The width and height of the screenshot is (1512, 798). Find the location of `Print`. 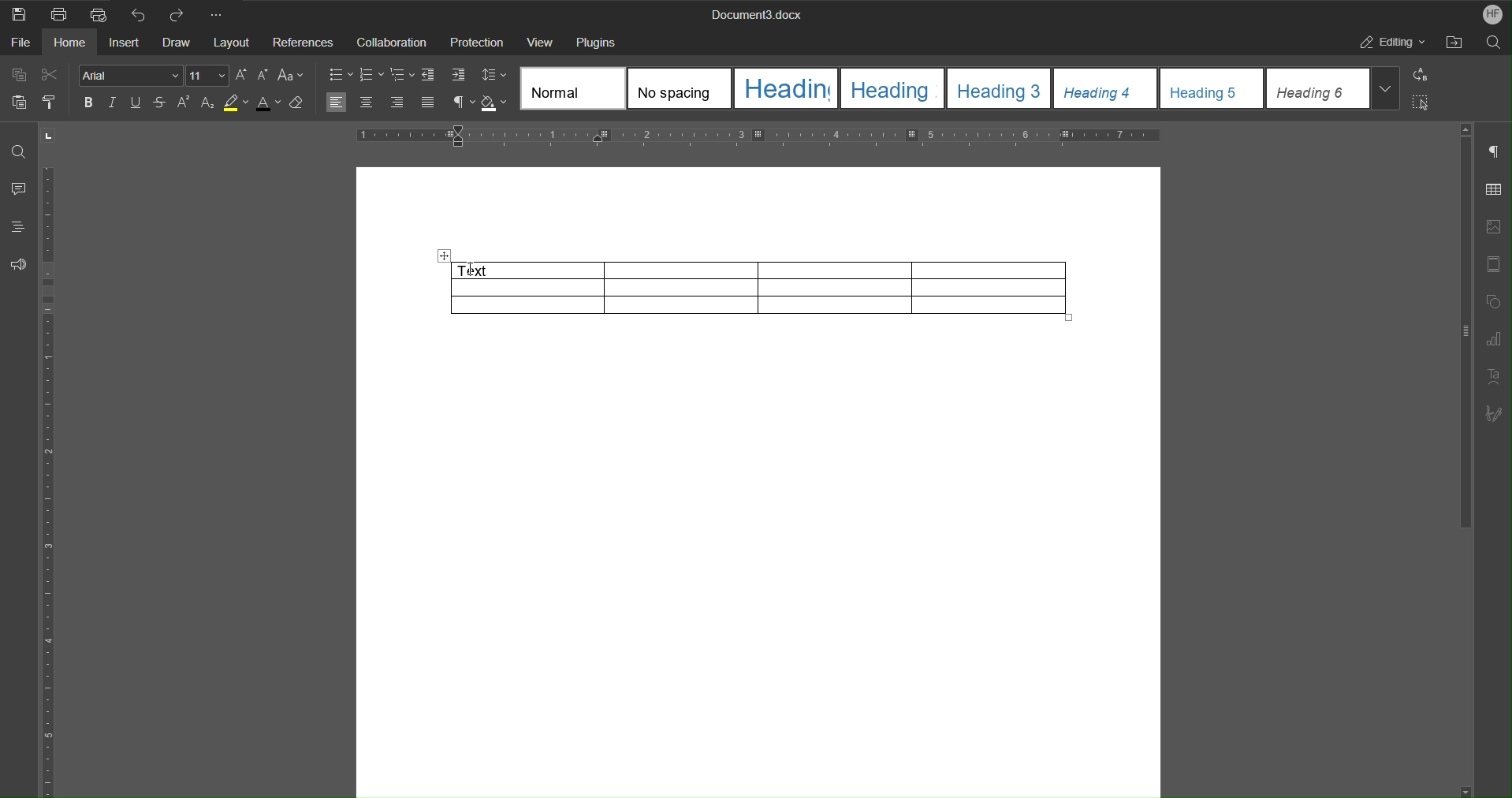

Print is located at coordinates (56, 13).